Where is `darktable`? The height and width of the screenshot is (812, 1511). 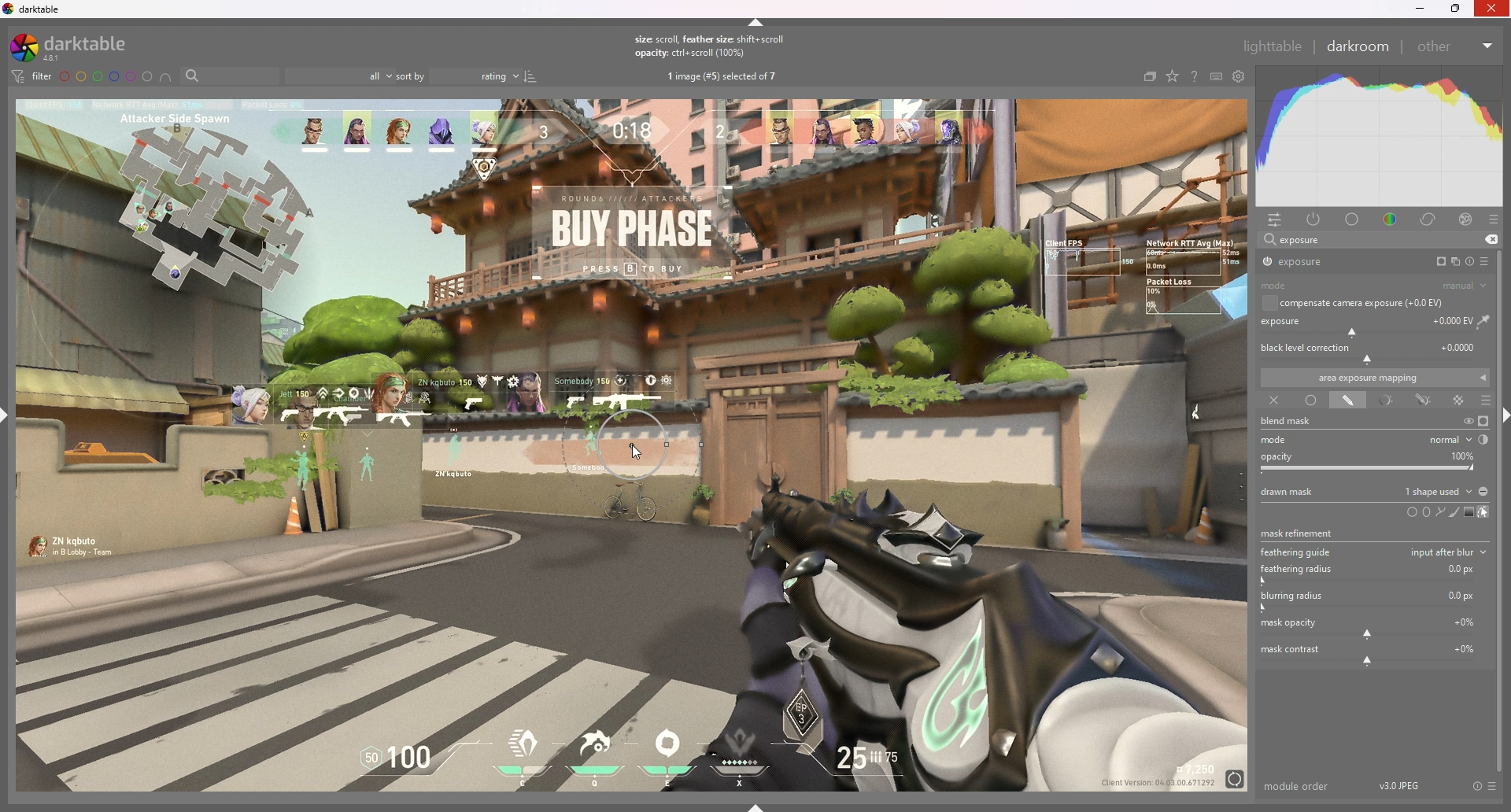
darktable is located at coordinates (35, 9).